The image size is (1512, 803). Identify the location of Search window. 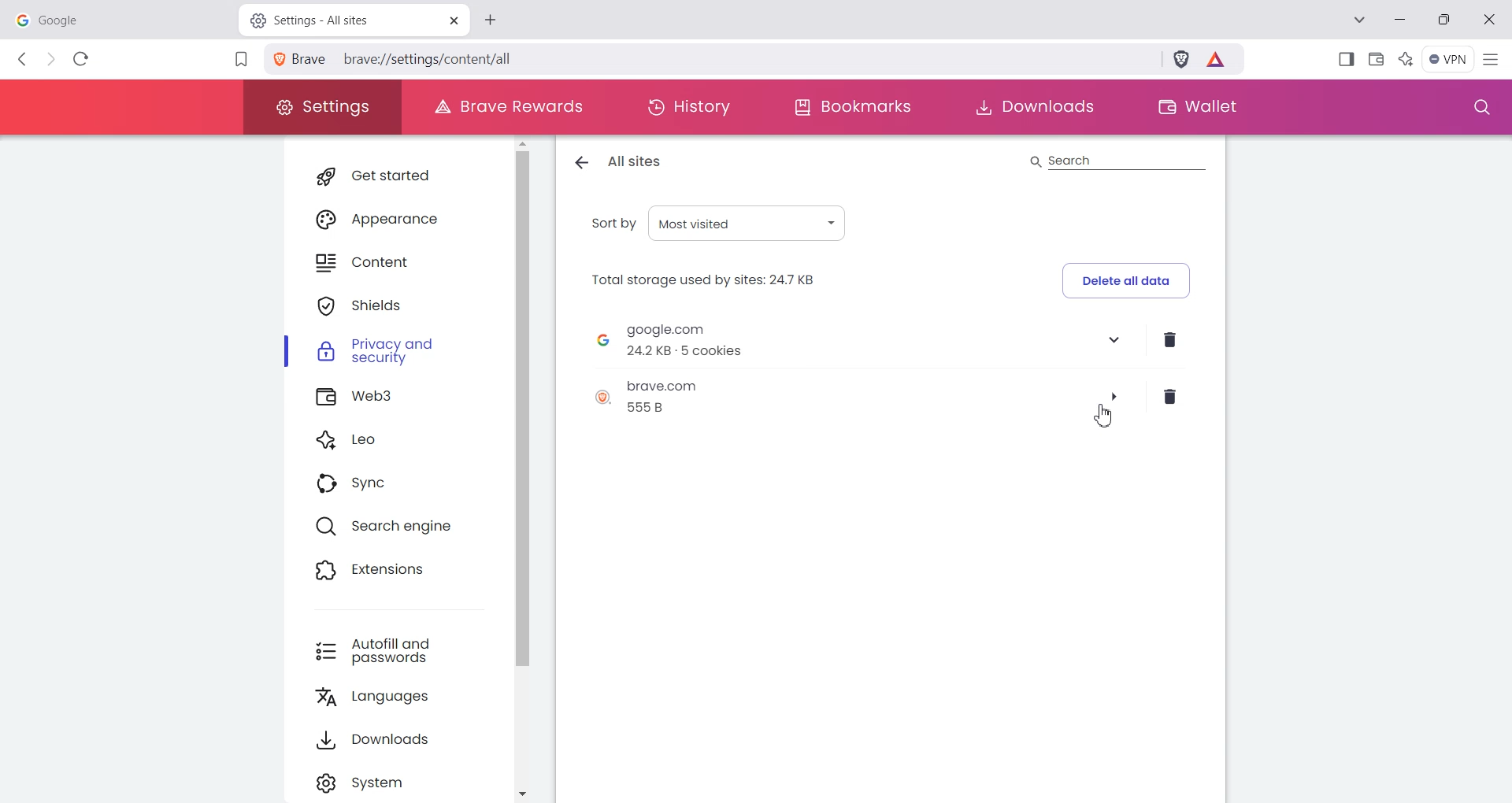
(1478, 108).